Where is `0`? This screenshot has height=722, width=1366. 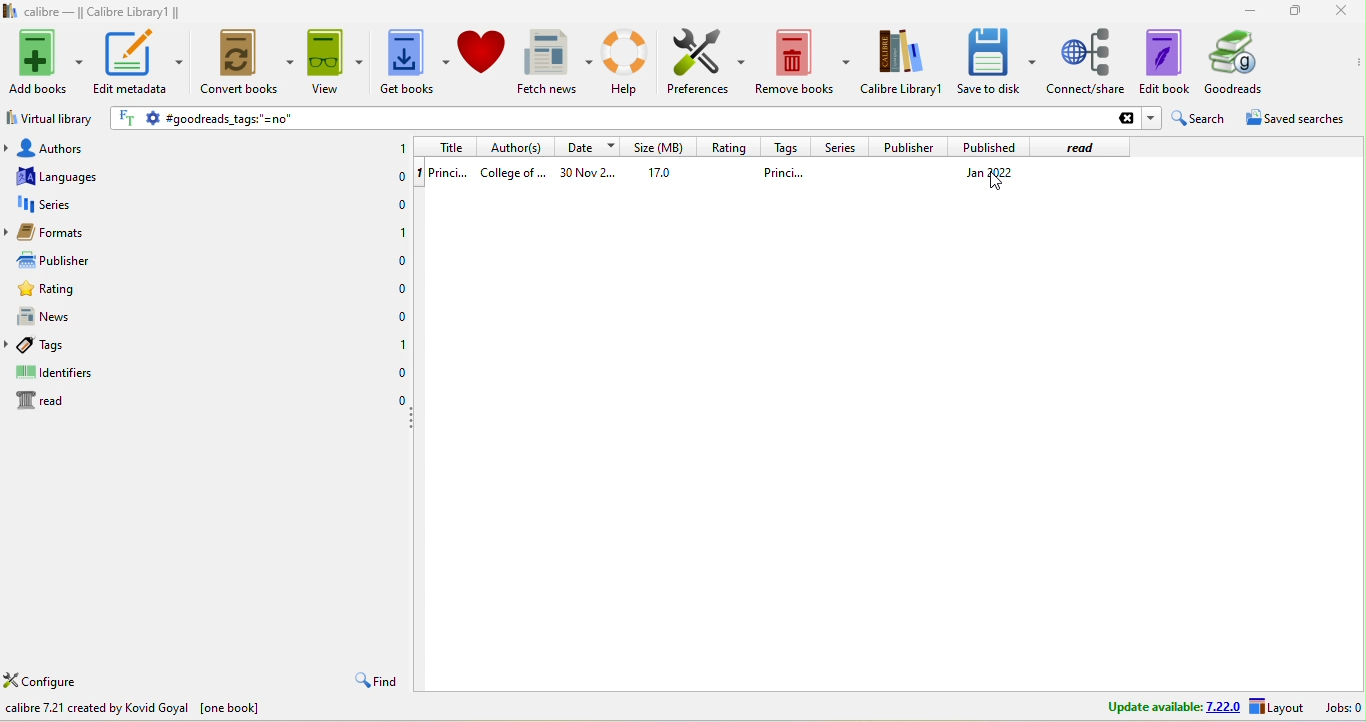
0 is located at coordinates (401, 398).